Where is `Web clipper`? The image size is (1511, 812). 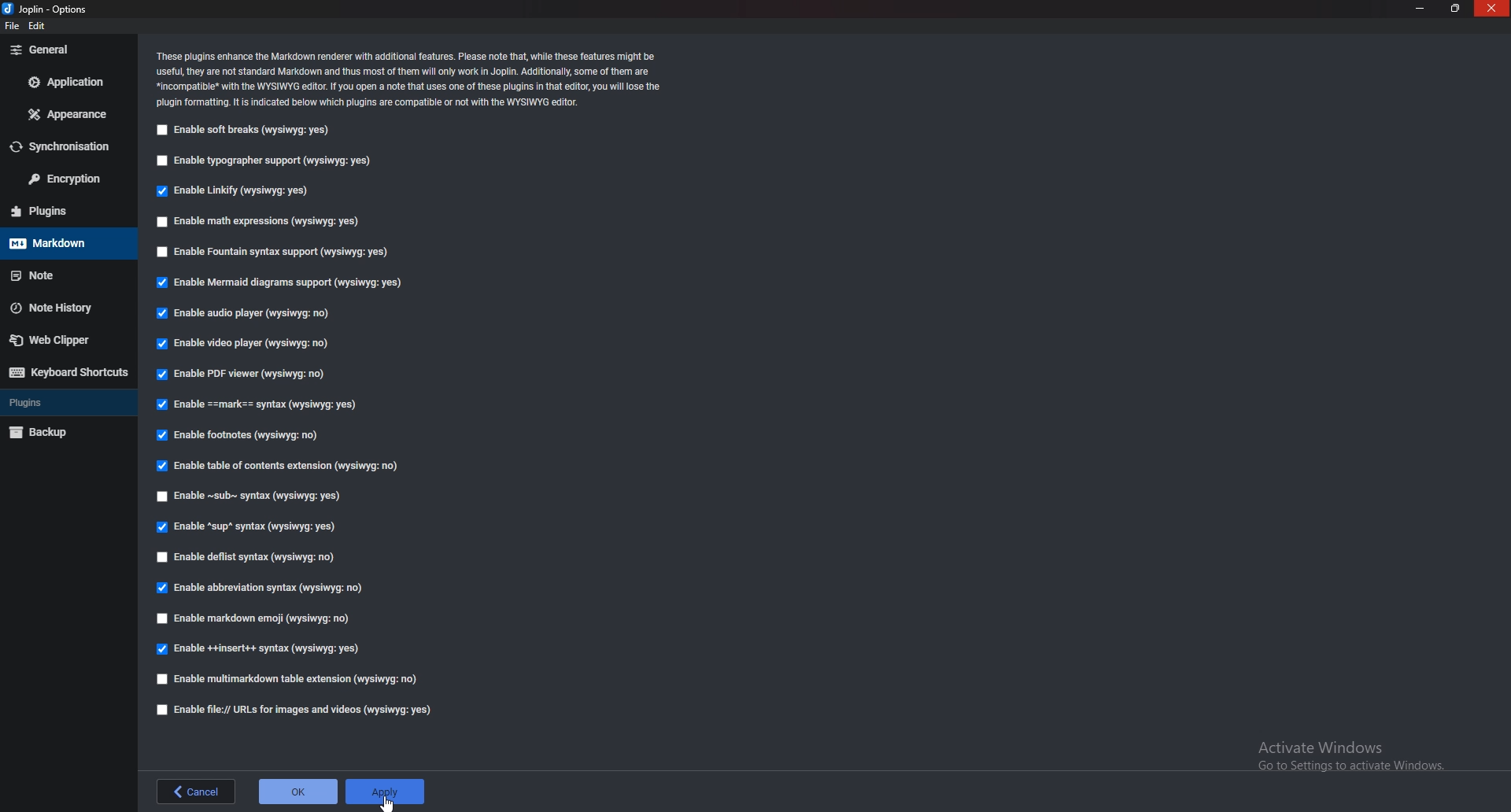 Web clipper is located at coordinates (59, 341).